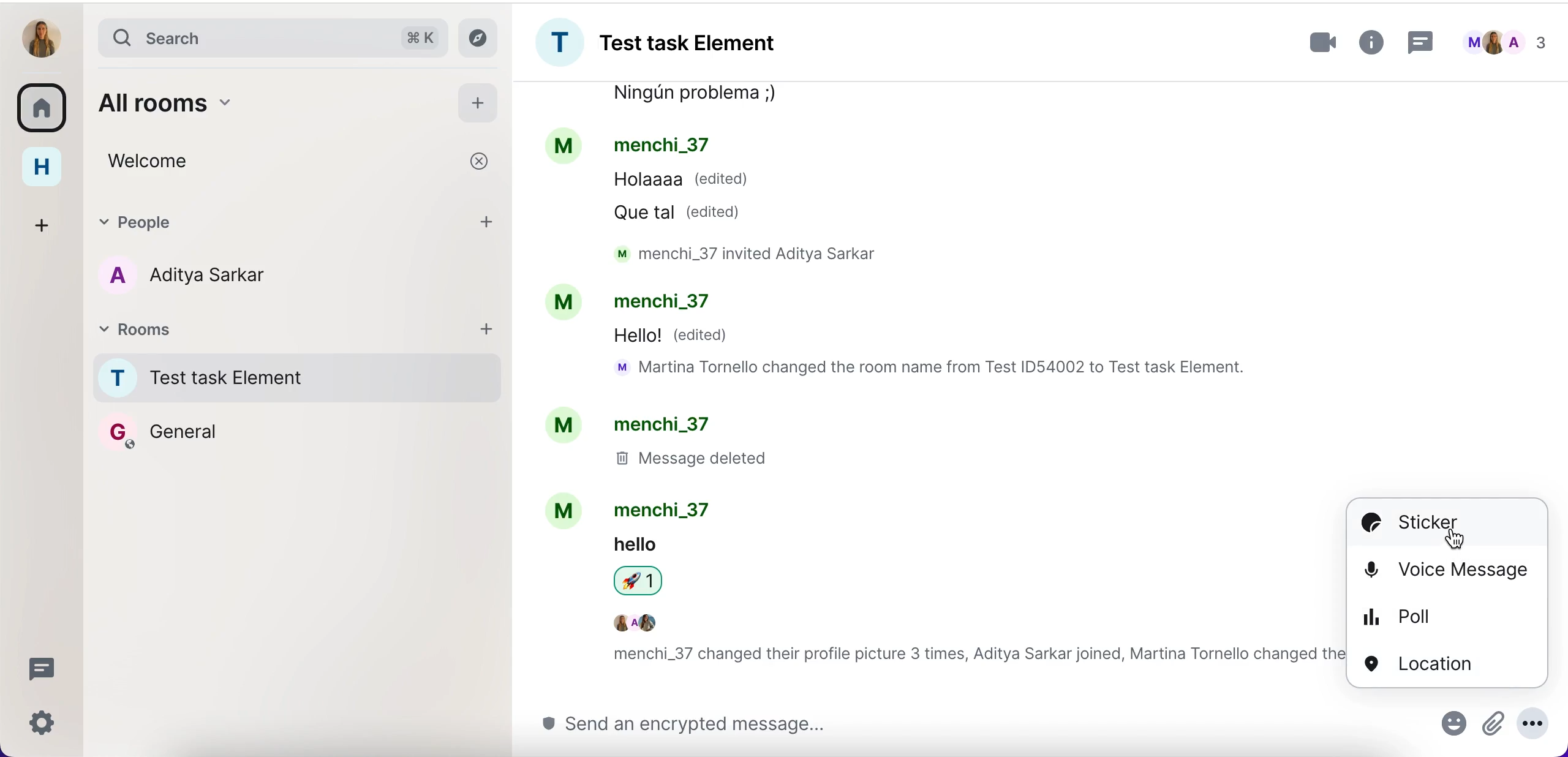  What do you see at coordinates (1491, 722) in the screenshot?
I see `attachments` at bounding box center [1491, 722].